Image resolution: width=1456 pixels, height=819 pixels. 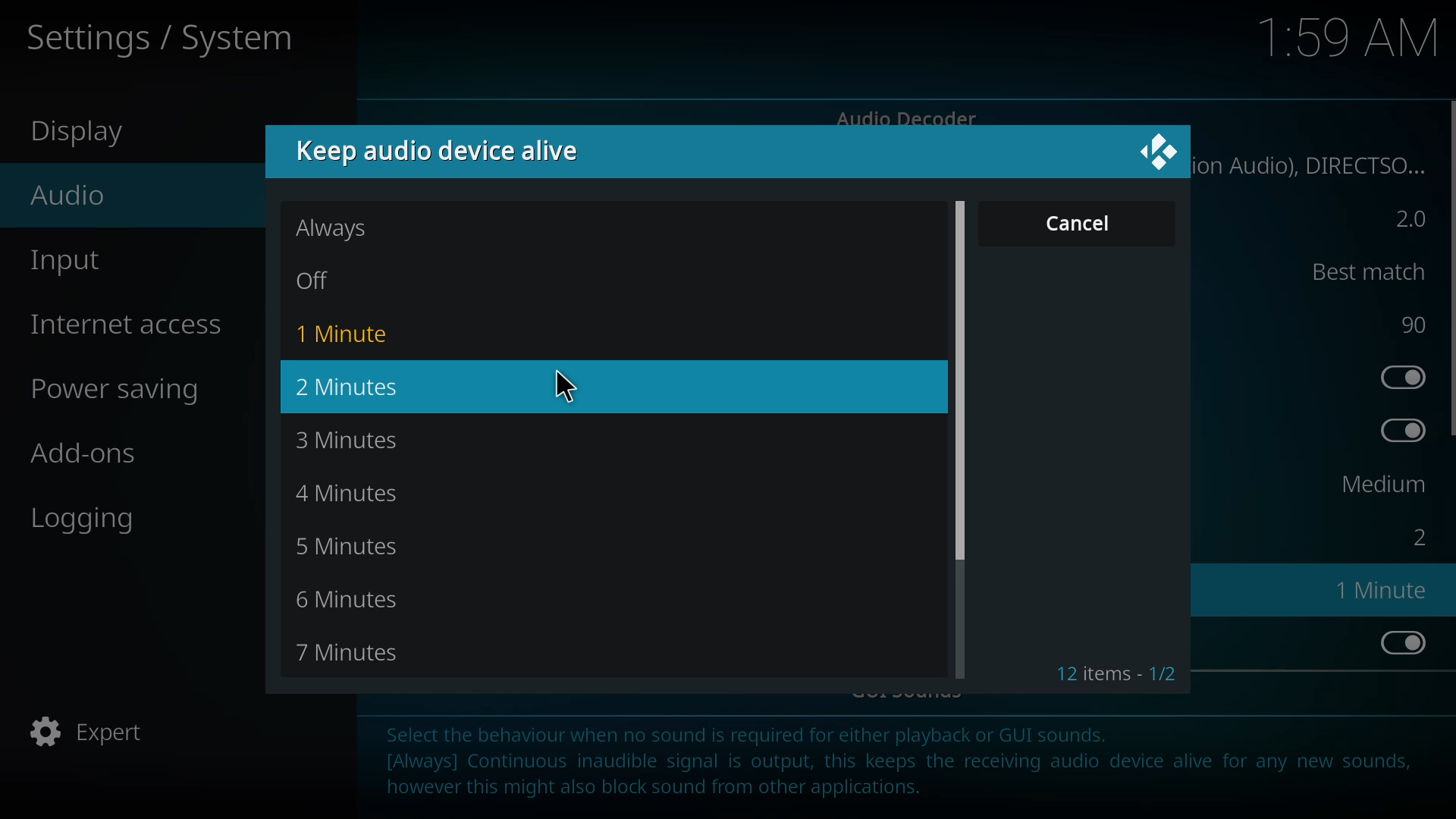 I want to click on audio, so click(x=67, y=195).